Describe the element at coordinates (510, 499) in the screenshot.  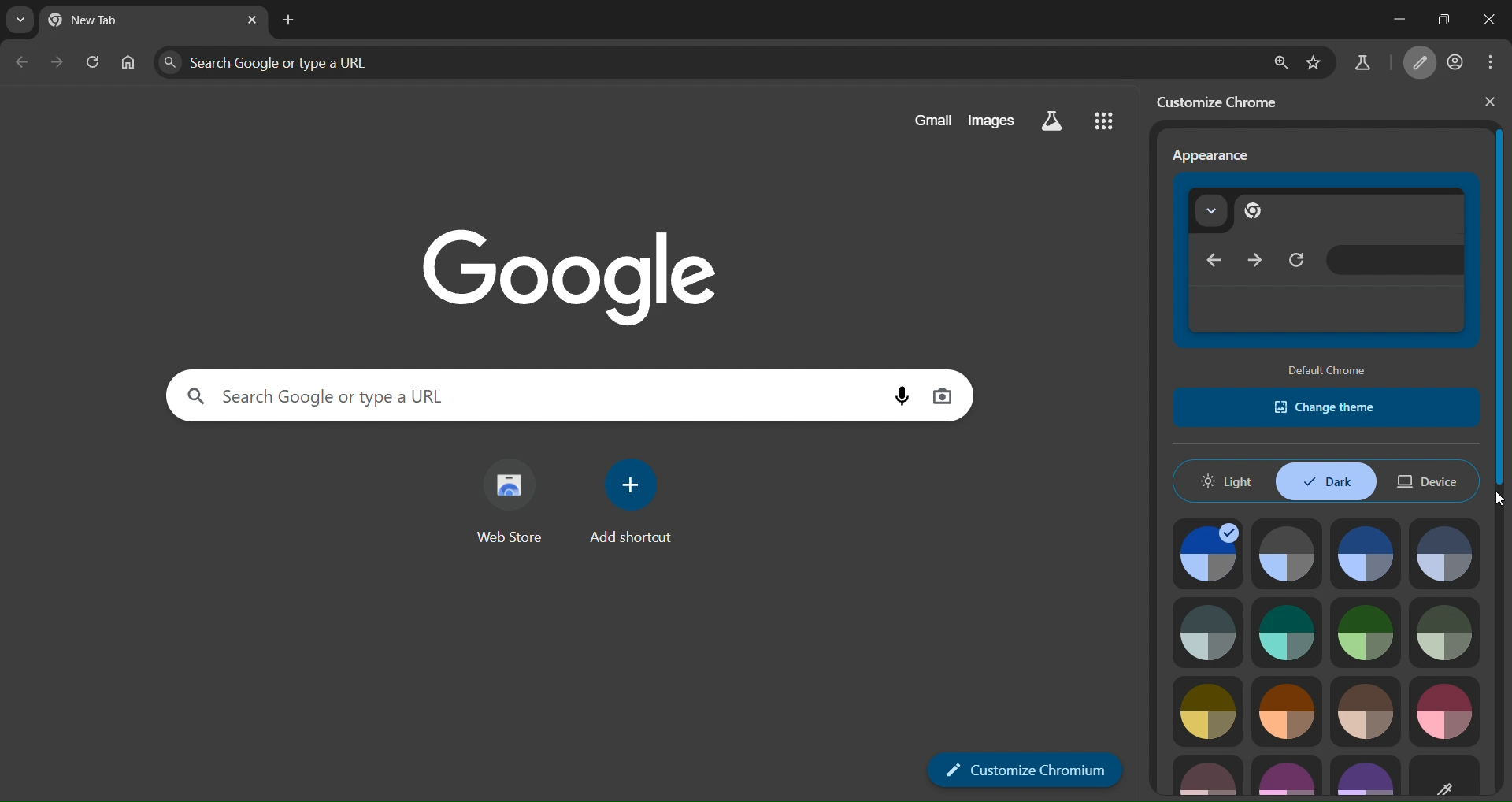
I see `web store` at that location.